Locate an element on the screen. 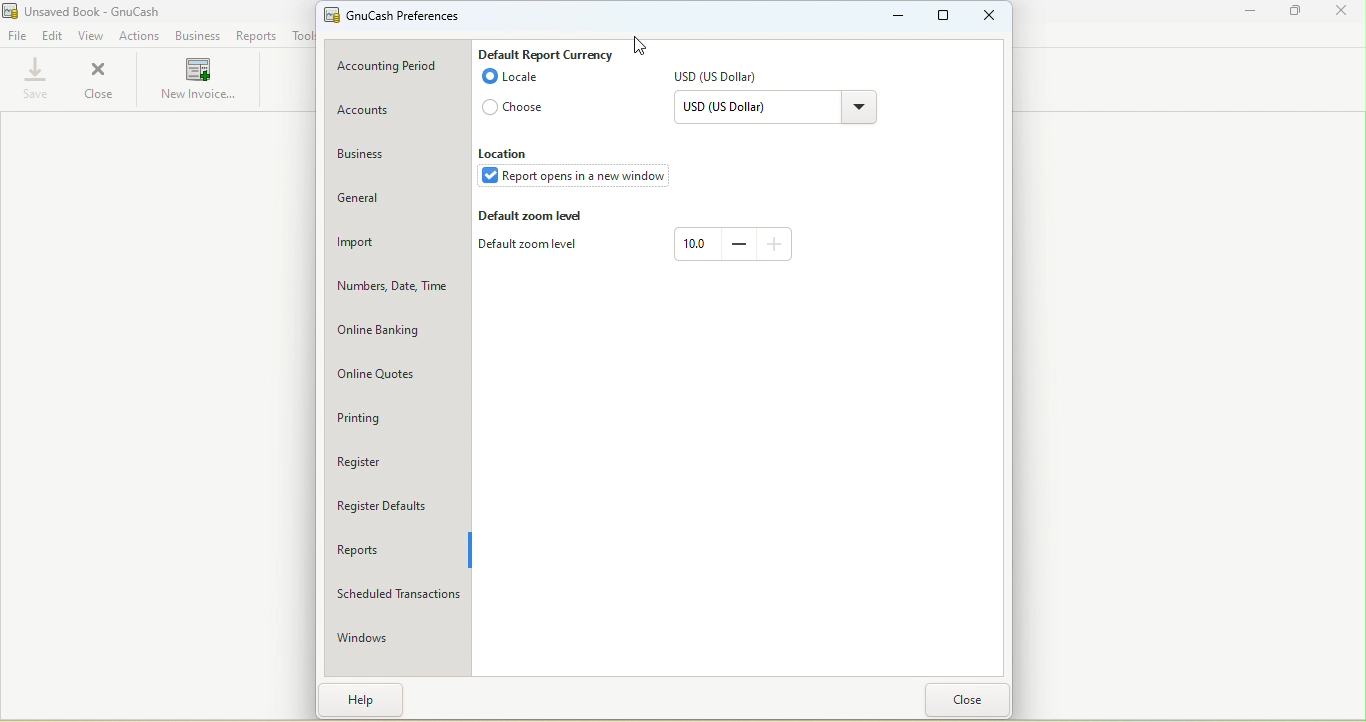  Close is located at coordinates (1340, 14).